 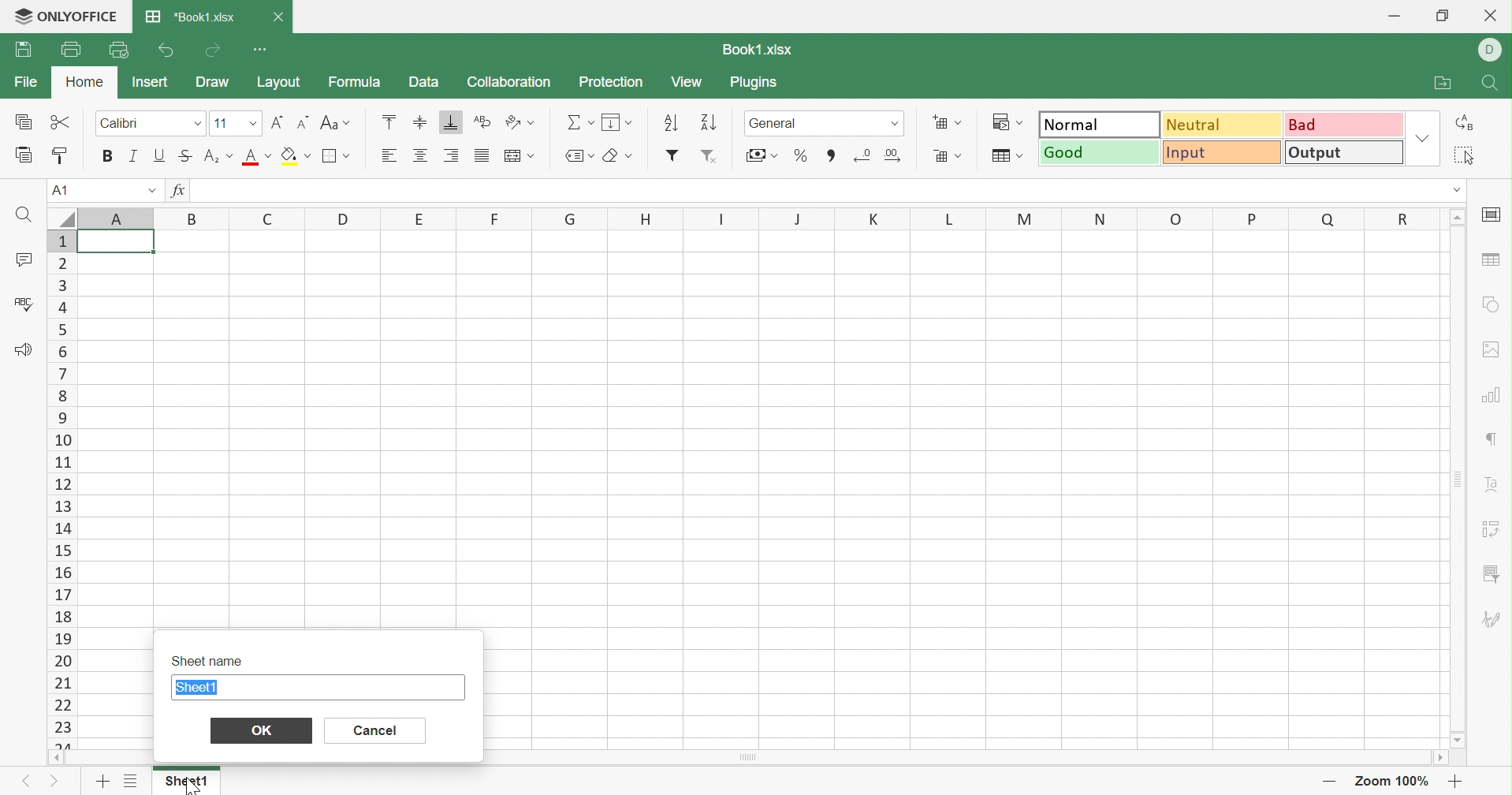 What do you see at coordinates (223, 121) in the screenshot?
I see `11` at bounding box center [223, 121].